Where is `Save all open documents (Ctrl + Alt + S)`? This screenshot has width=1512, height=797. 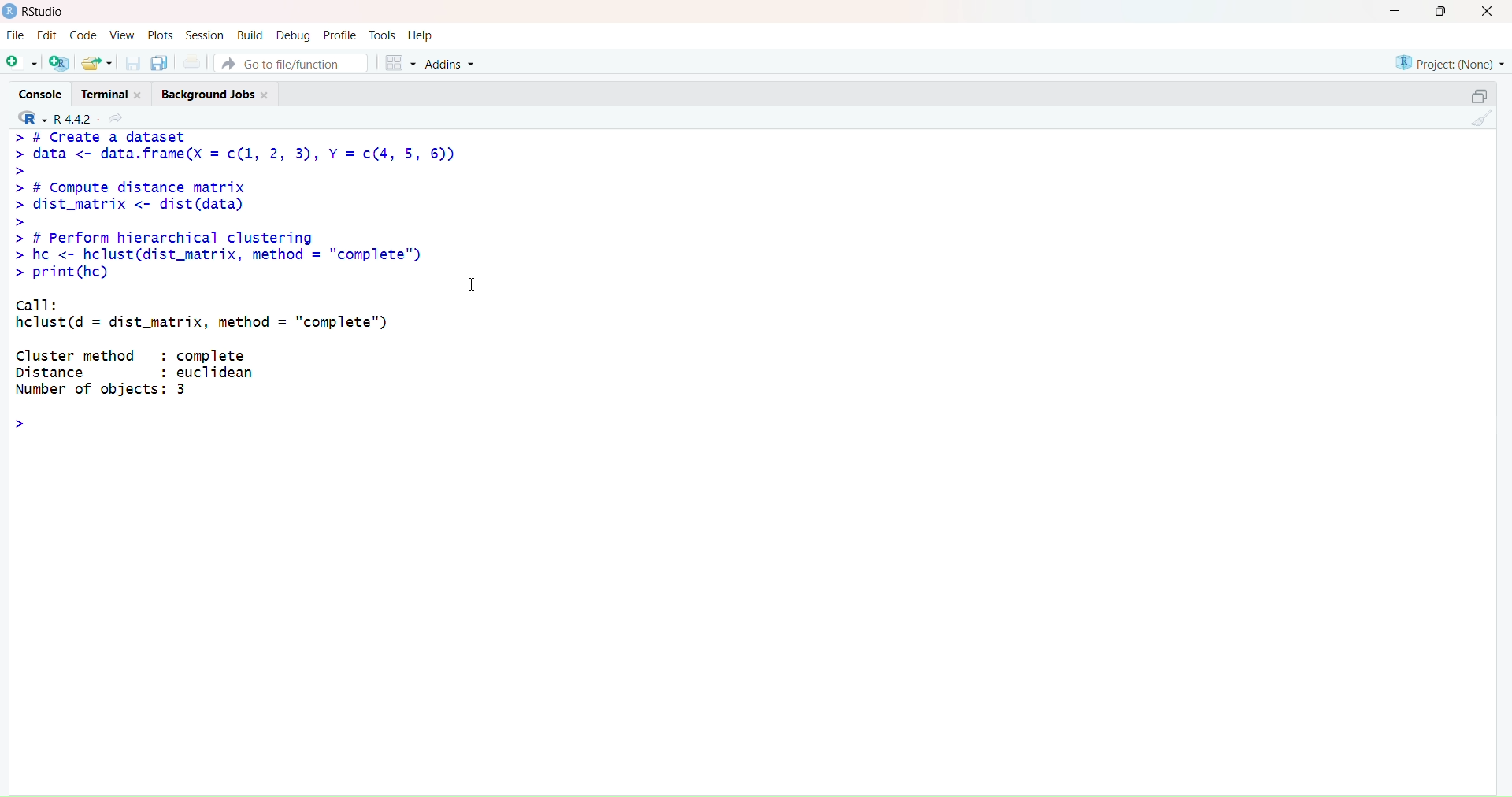 Save all open documents (Ctrl + Alt + S) is located at coordinates (161, 61).